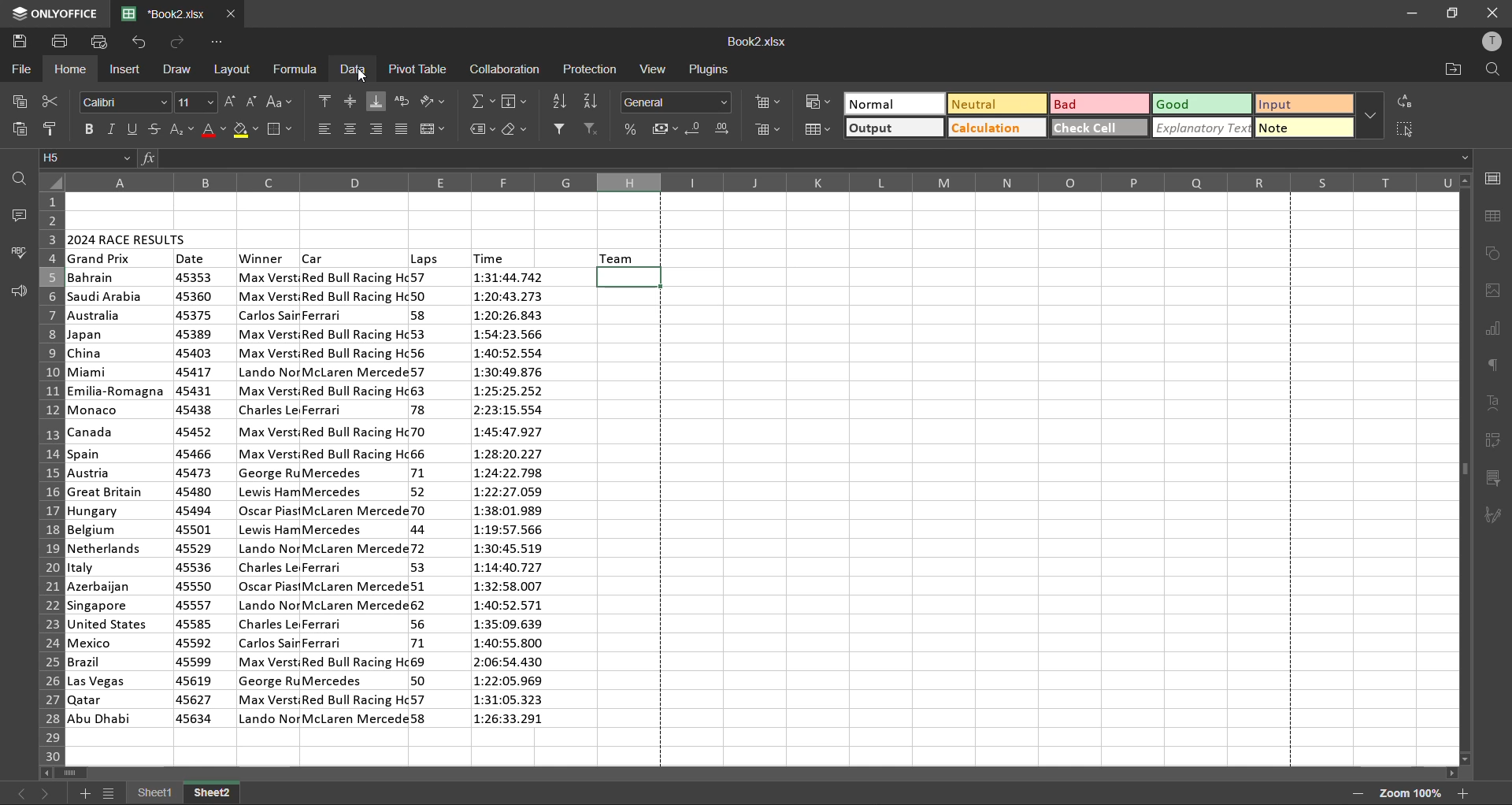 The width and height of the screenshot is (1512, 805). Describe the element at coordinates (138, 42) in the screenshot. I see `undo` at that location.